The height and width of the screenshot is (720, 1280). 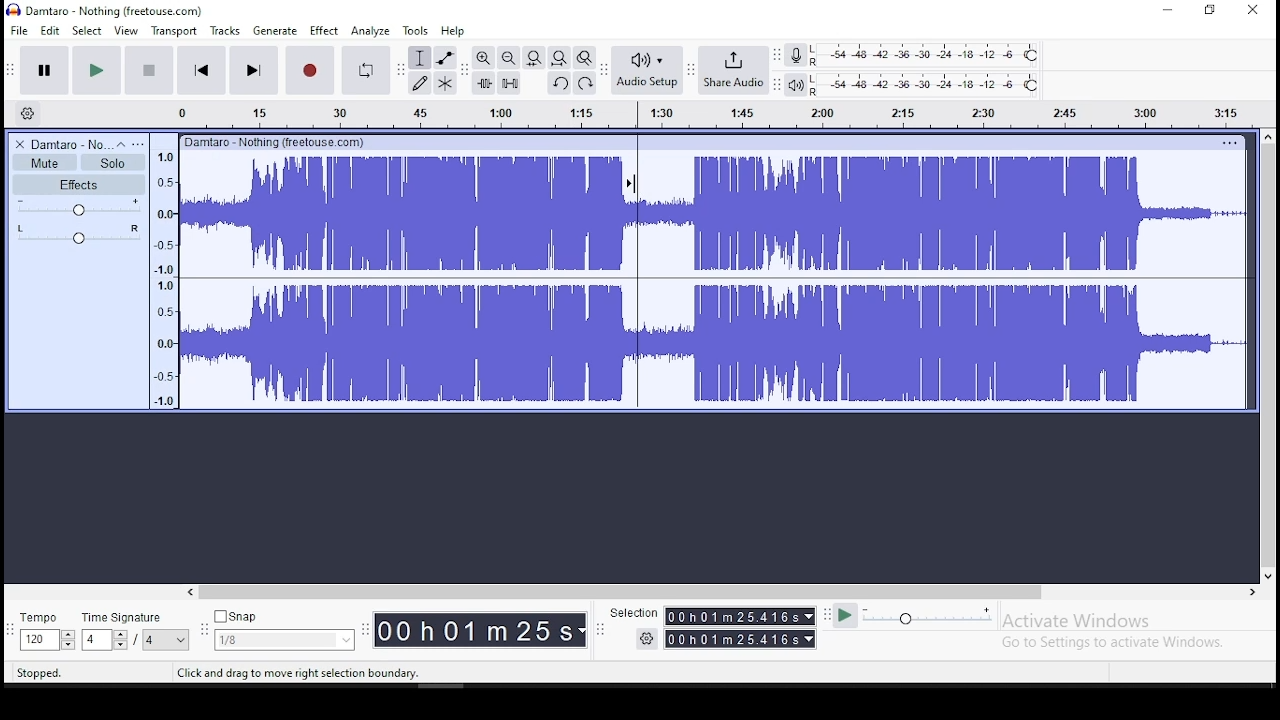 What do you see at coordinates (165, 280) in the screenshot?
I see `meter` at bounding box center [165, 280].